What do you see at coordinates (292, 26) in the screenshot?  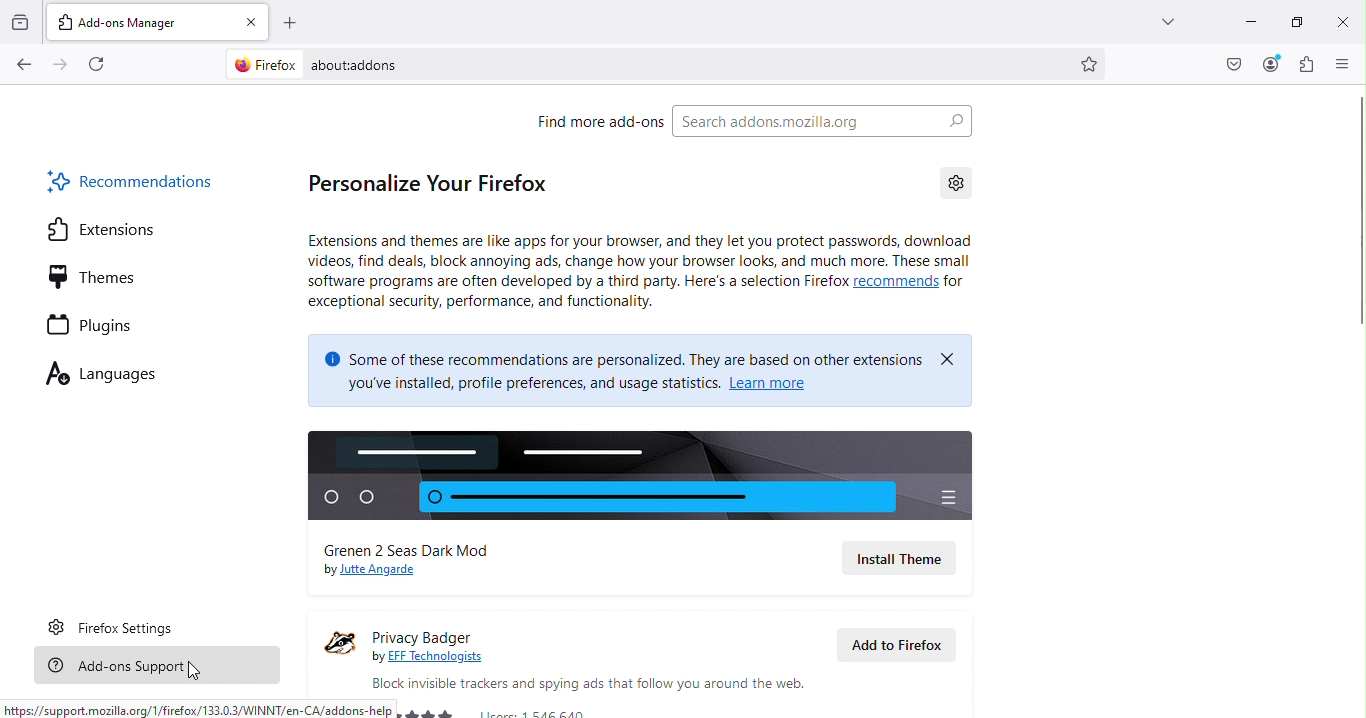 I see `Open a new tab` at bounding box center [292, 26].